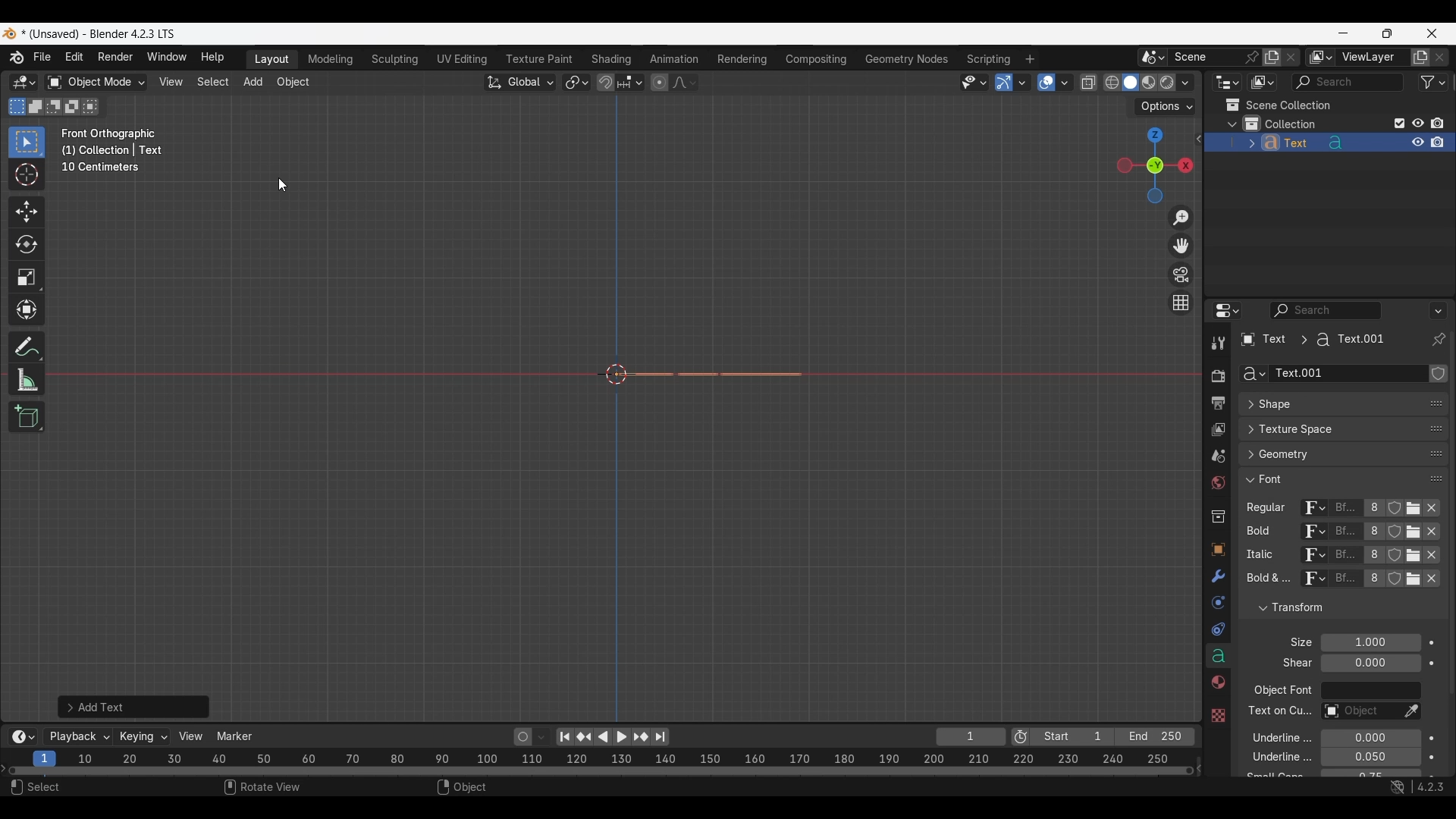 The height and width of the screenshot is (819, 1456). What do you see at coordinates (1434, 455) in the screenshot?
I see `change position` at bounding box center [1434, 455].